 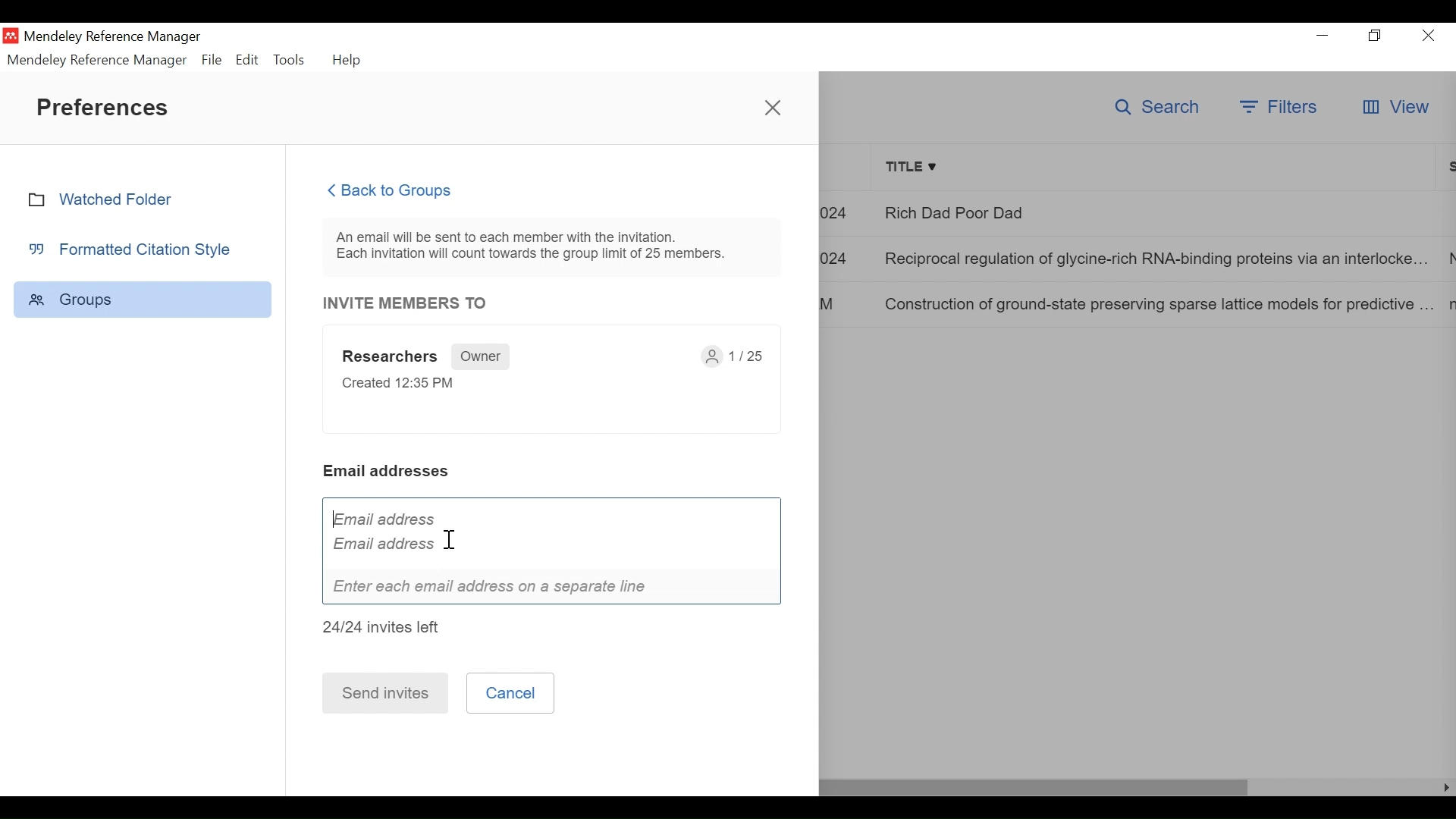 What do you see at coordinates (453, 539) in the screenshot?
I see `cursor` at bounding box center [453, 539].